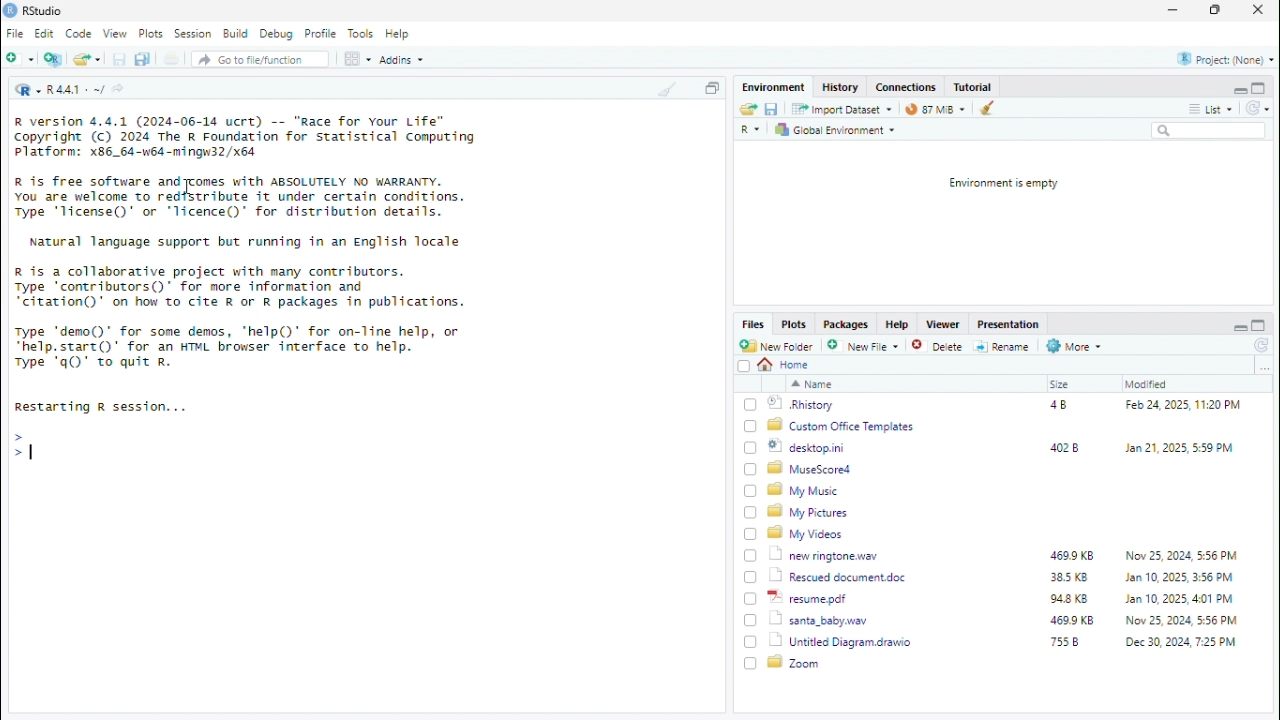 This screenshot has height=720, width=1280. Describe the element at coordinates (1008, 619) in the screenshot. I see `santa_baby.wav 469.9KB Now 25,2024, 5:56 PM` at that location.